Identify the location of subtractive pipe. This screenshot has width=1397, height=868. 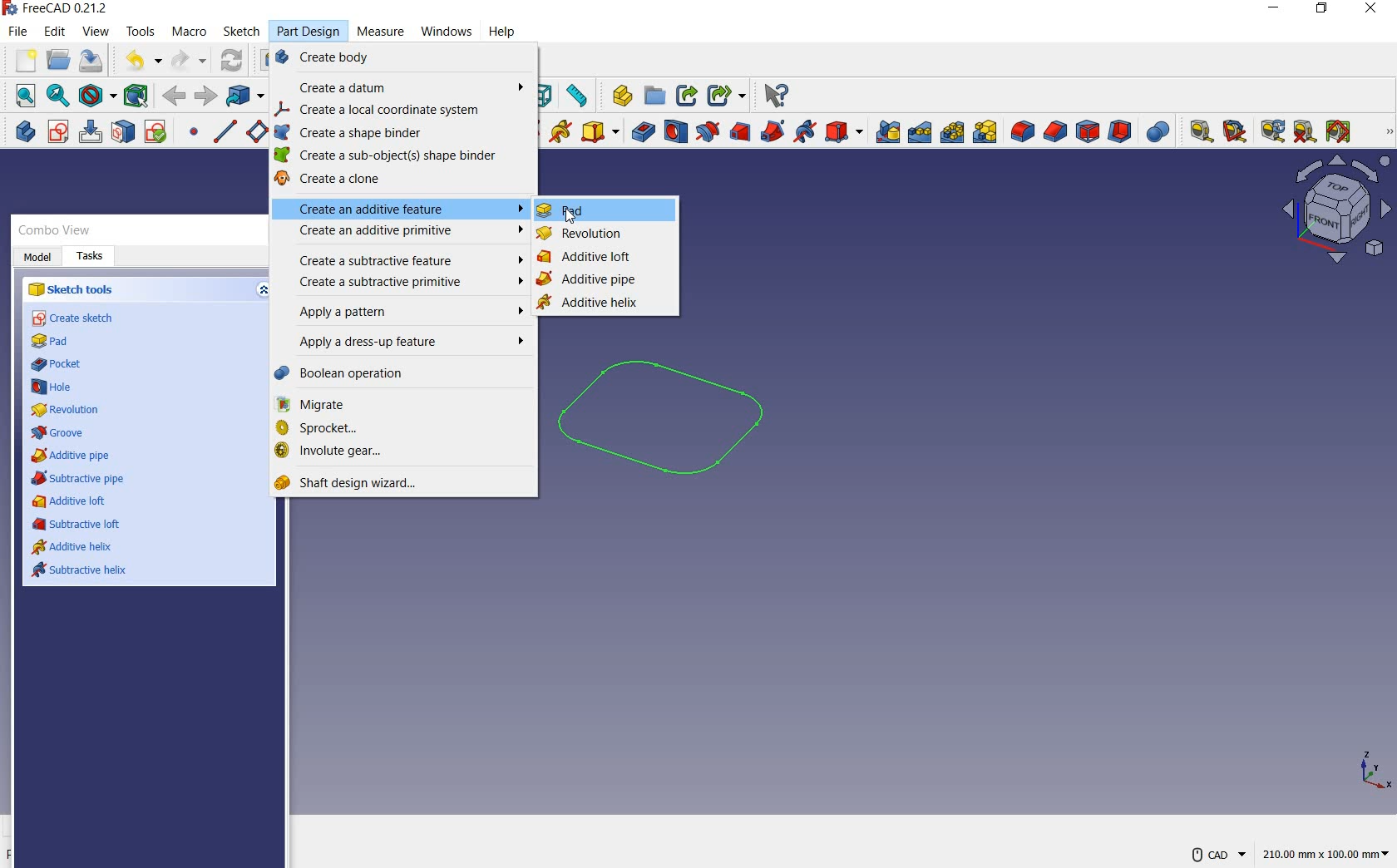
(773, 131).